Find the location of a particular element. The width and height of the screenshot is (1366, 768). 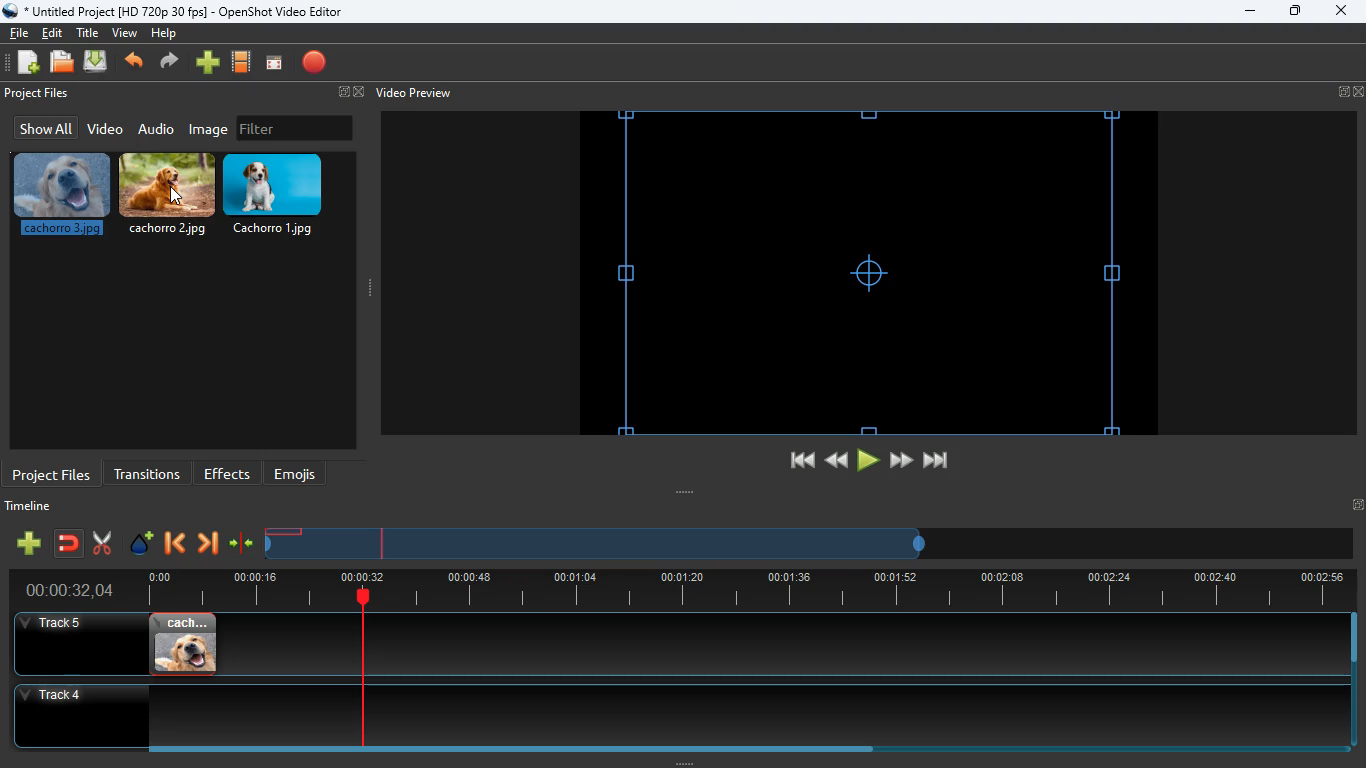

transitions is located at coordinates (147, 472).